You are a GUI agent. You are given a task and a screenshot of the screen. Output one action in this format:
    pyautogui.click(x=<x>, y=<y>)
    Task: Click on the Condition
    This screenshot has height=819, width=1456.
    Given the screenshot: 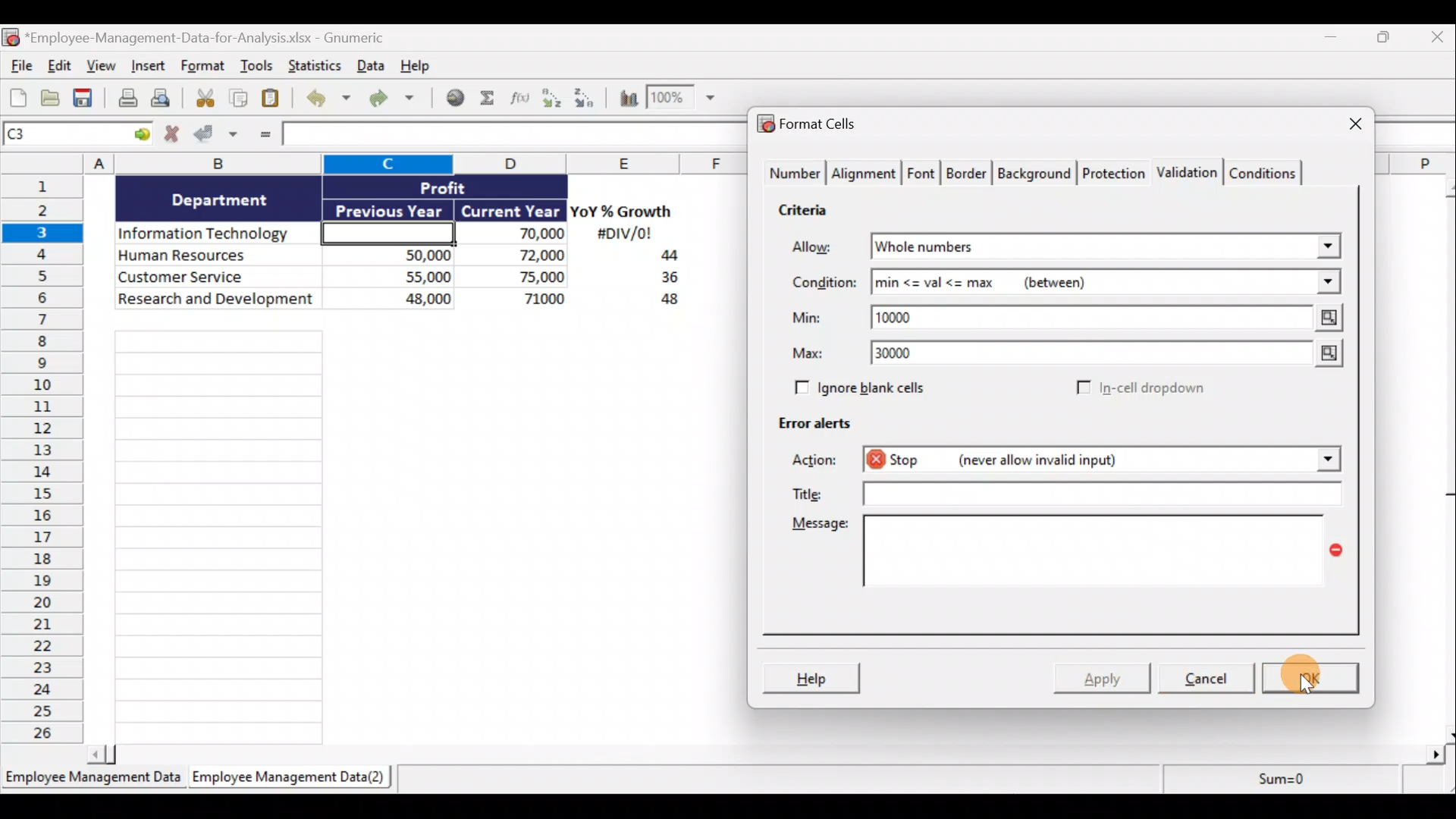 What is the action you would take?
    pyautogui.click(x=823, y=283)
    